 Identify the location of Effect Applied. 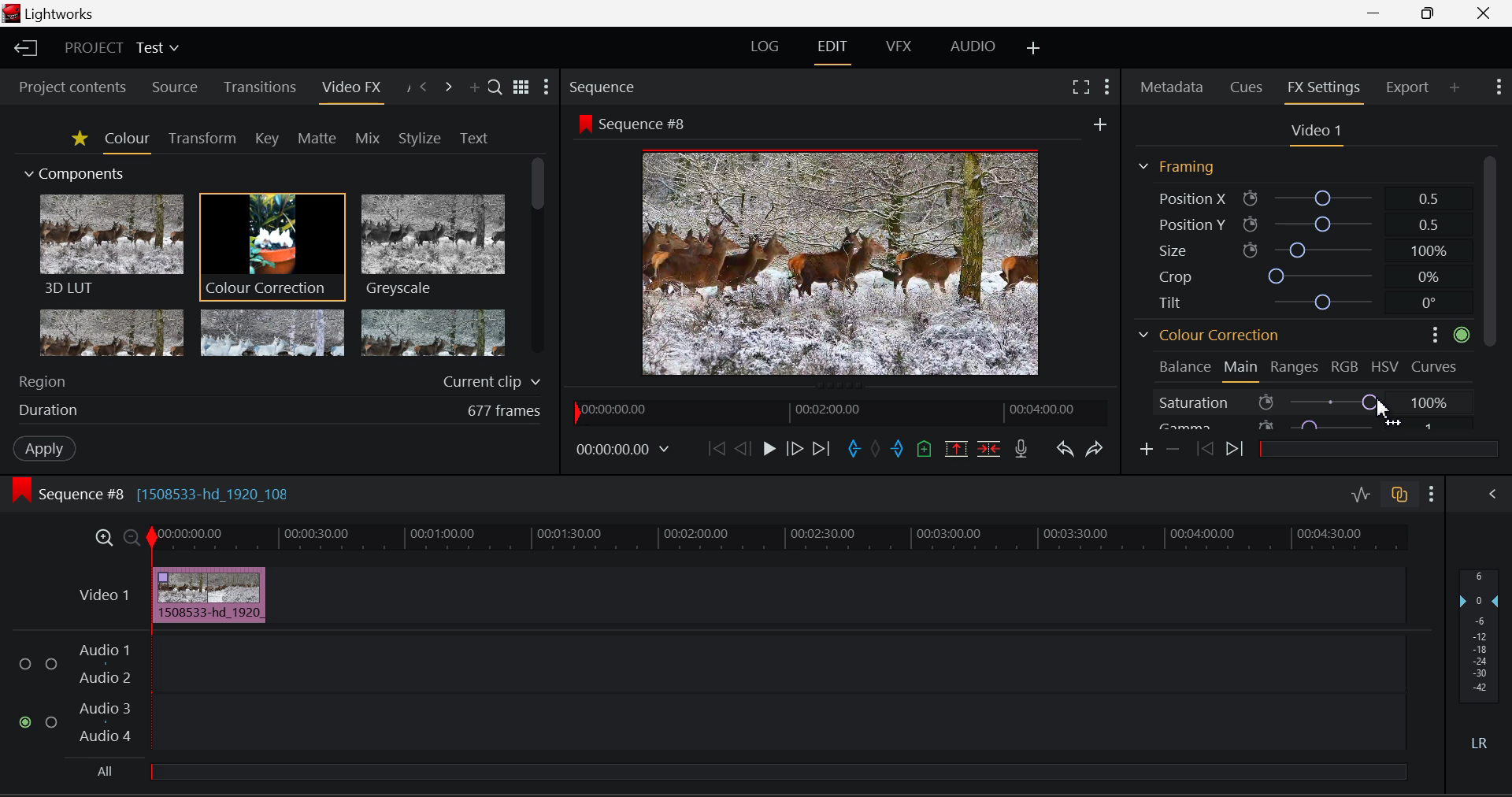
(212, 594).